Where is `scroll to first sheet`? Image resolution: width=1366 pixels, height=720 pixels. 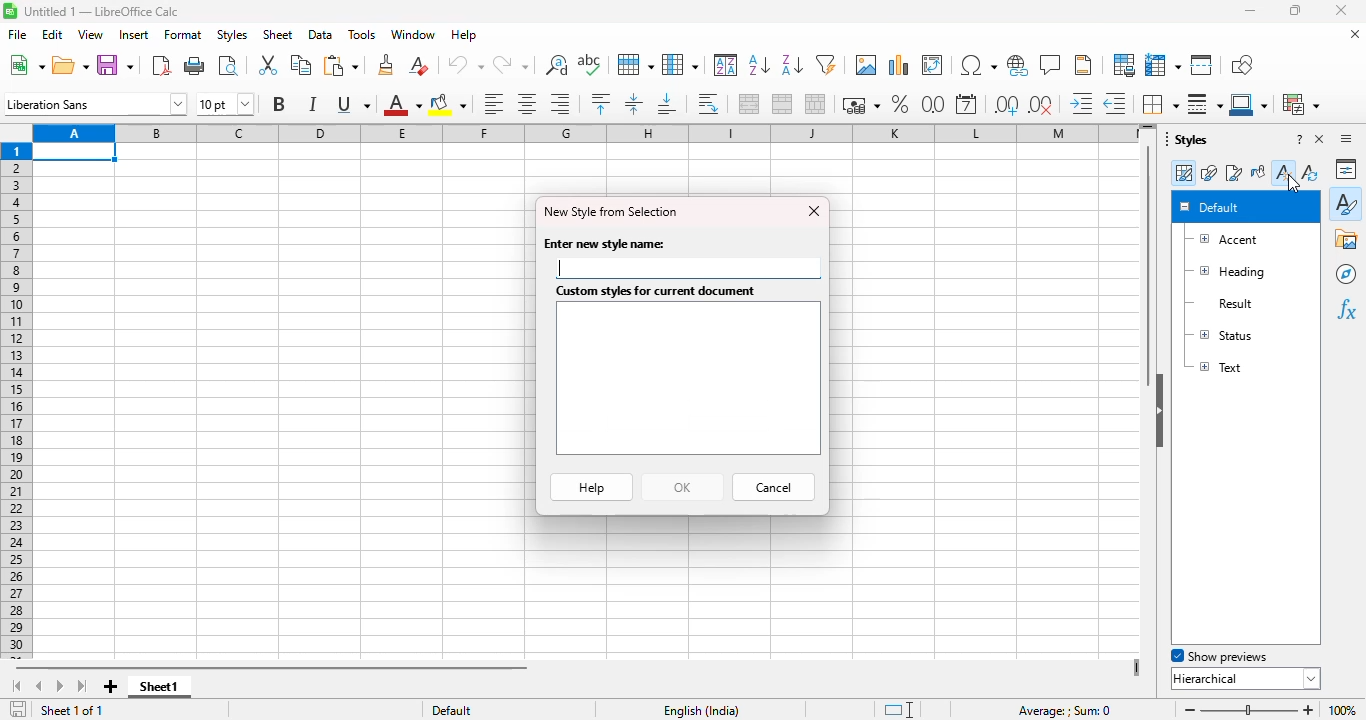 scroll to first sheet is located at coordinates (15, 687).